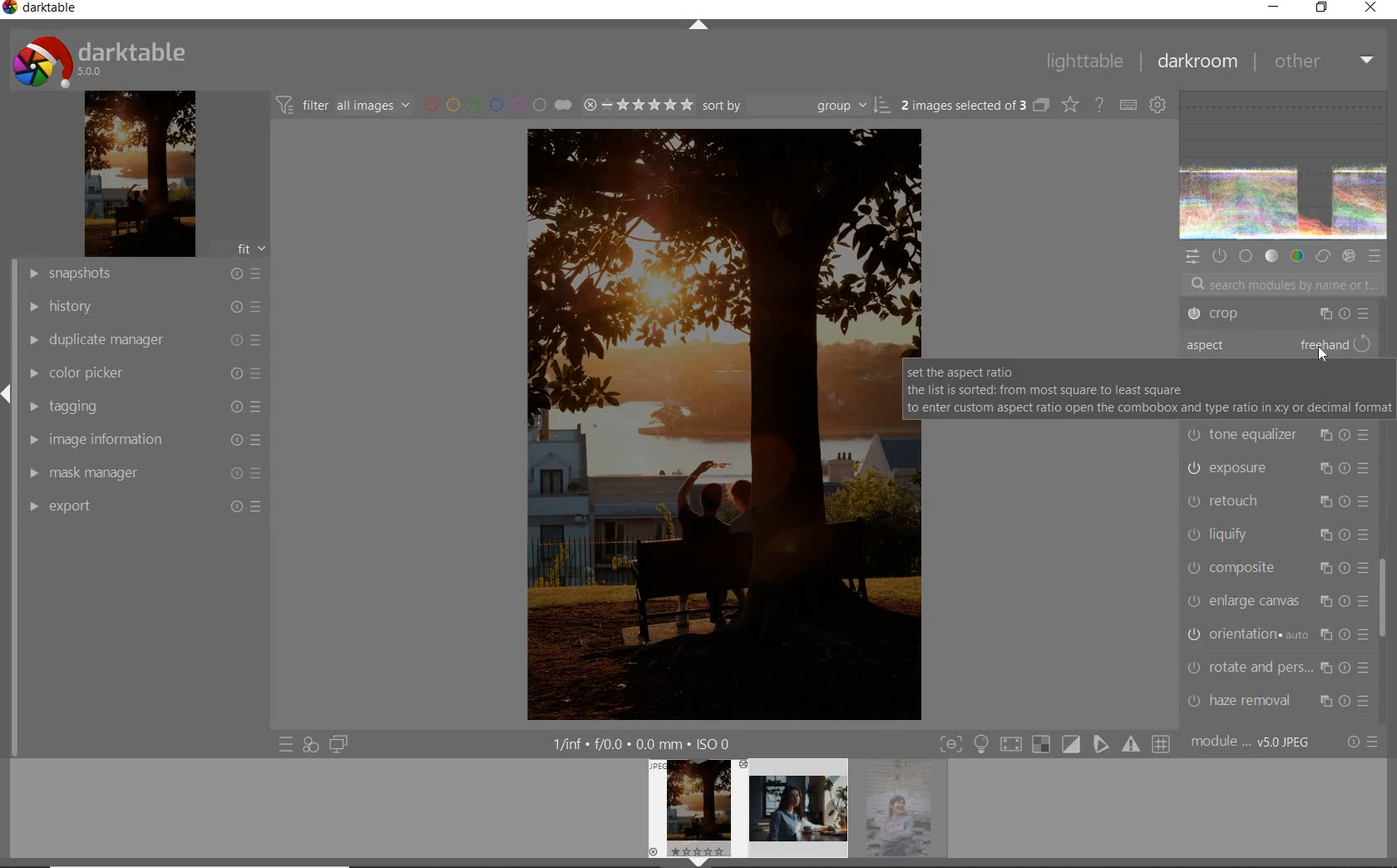 This screenshot has width=1397, height=868. What do you see at coordinates (1385, 599) in the screenshot?
I see `scrollbar` at bounding box center [1385, 599].